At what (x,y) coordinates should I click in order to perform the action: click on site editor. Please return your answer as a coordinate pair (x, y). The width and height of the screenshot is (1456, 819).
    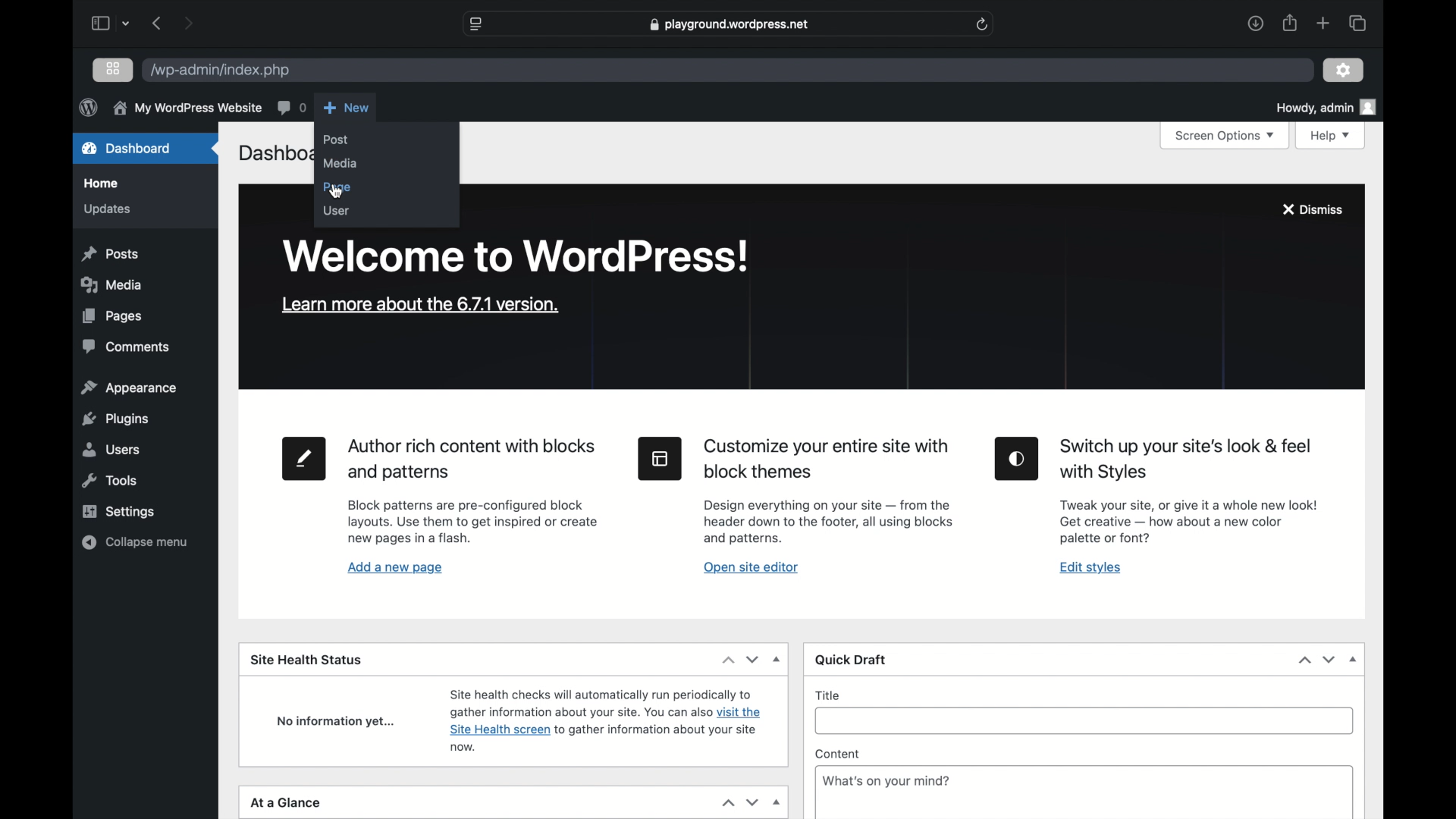
    Looking at the image, I should click on (660, 458).